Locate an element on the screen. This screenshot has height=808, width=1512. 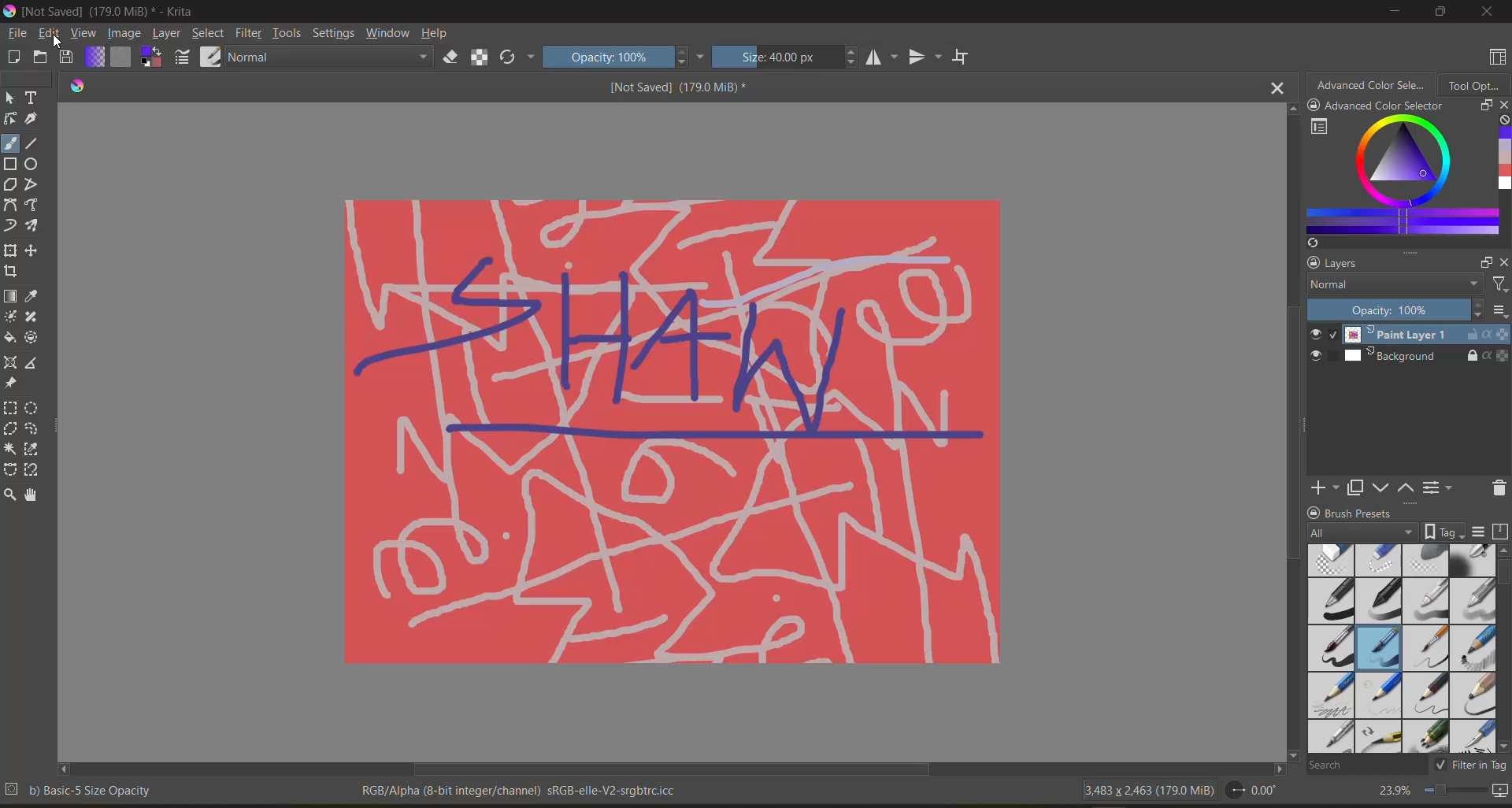
zoom tool is located at coordinates (13, 494).